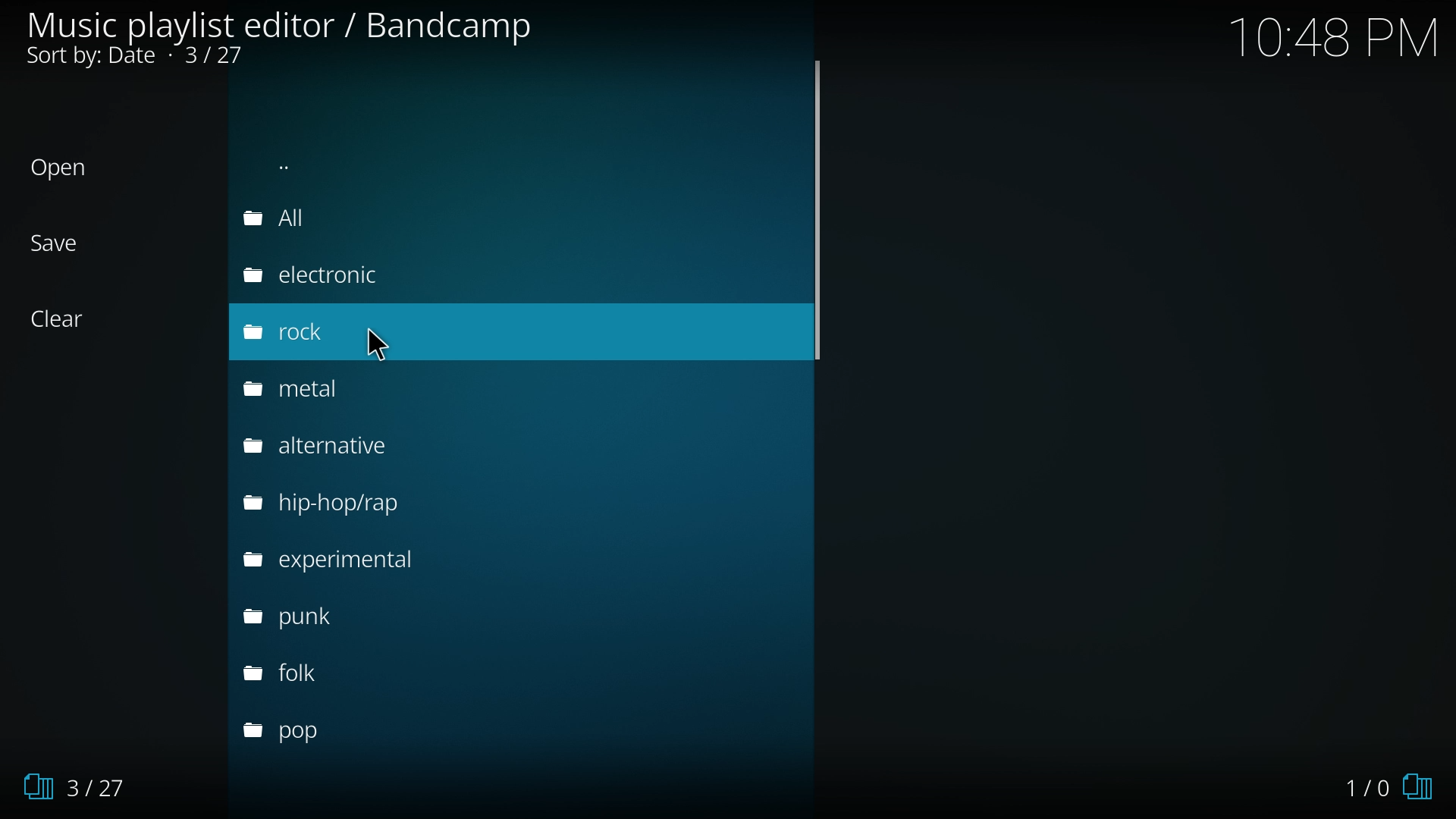 This screenshot has width=1456, height=819. I want to click on 3/27, so click(89, 787).